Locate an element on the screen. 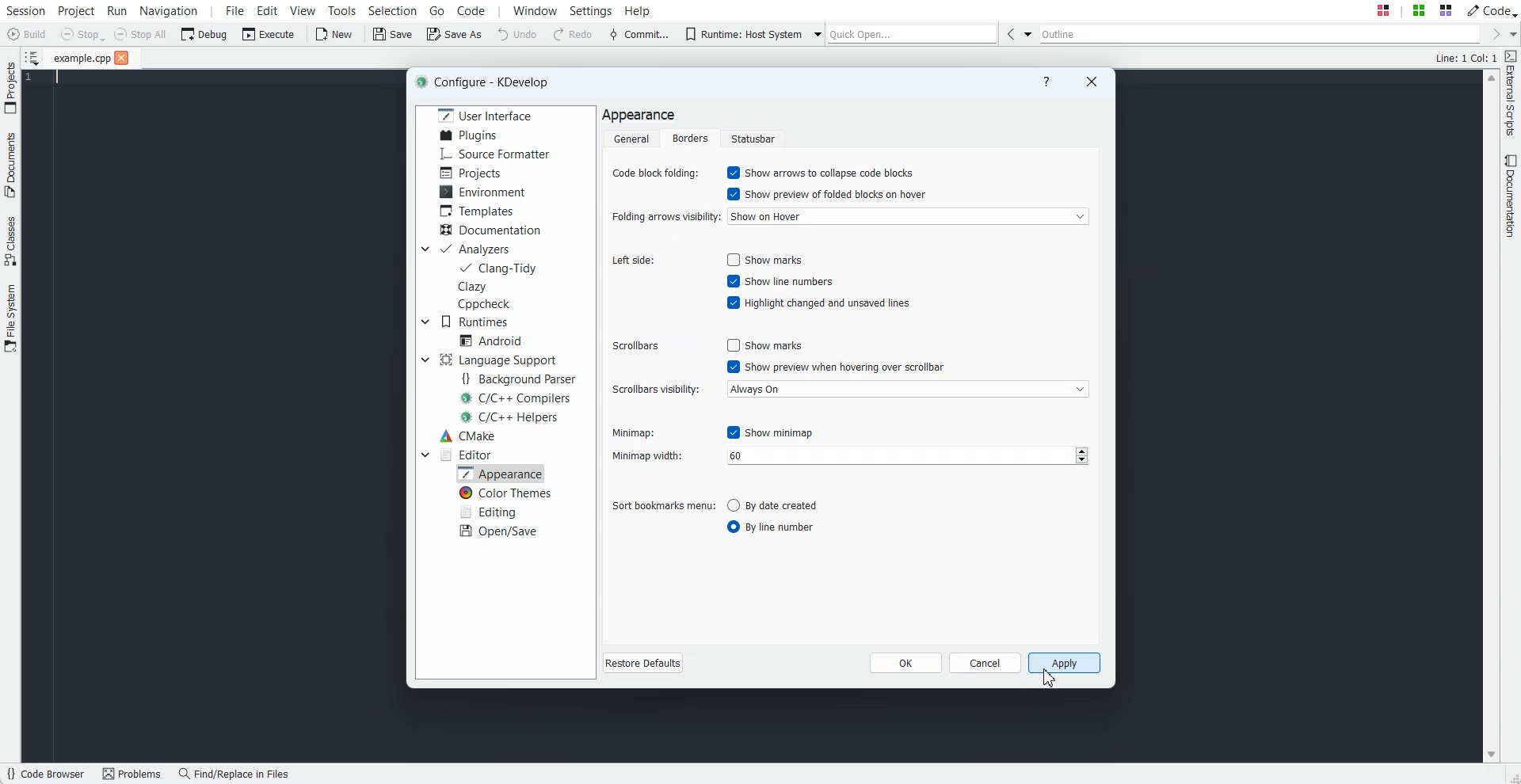  Drop down box is located at coordinates (424, 249).